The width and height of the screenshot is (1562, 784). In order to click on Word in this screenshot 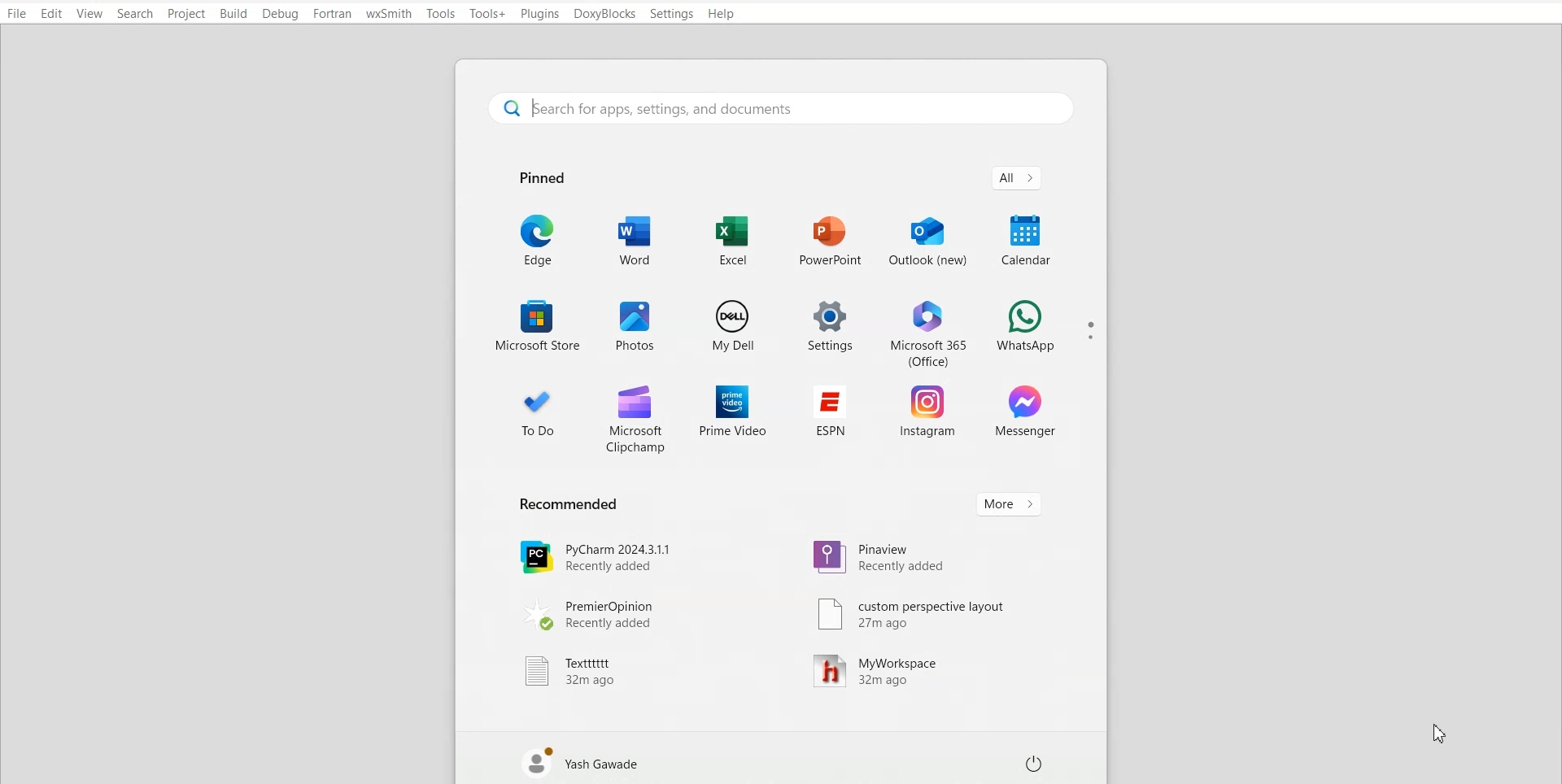, I will do `click(637, 242)`.